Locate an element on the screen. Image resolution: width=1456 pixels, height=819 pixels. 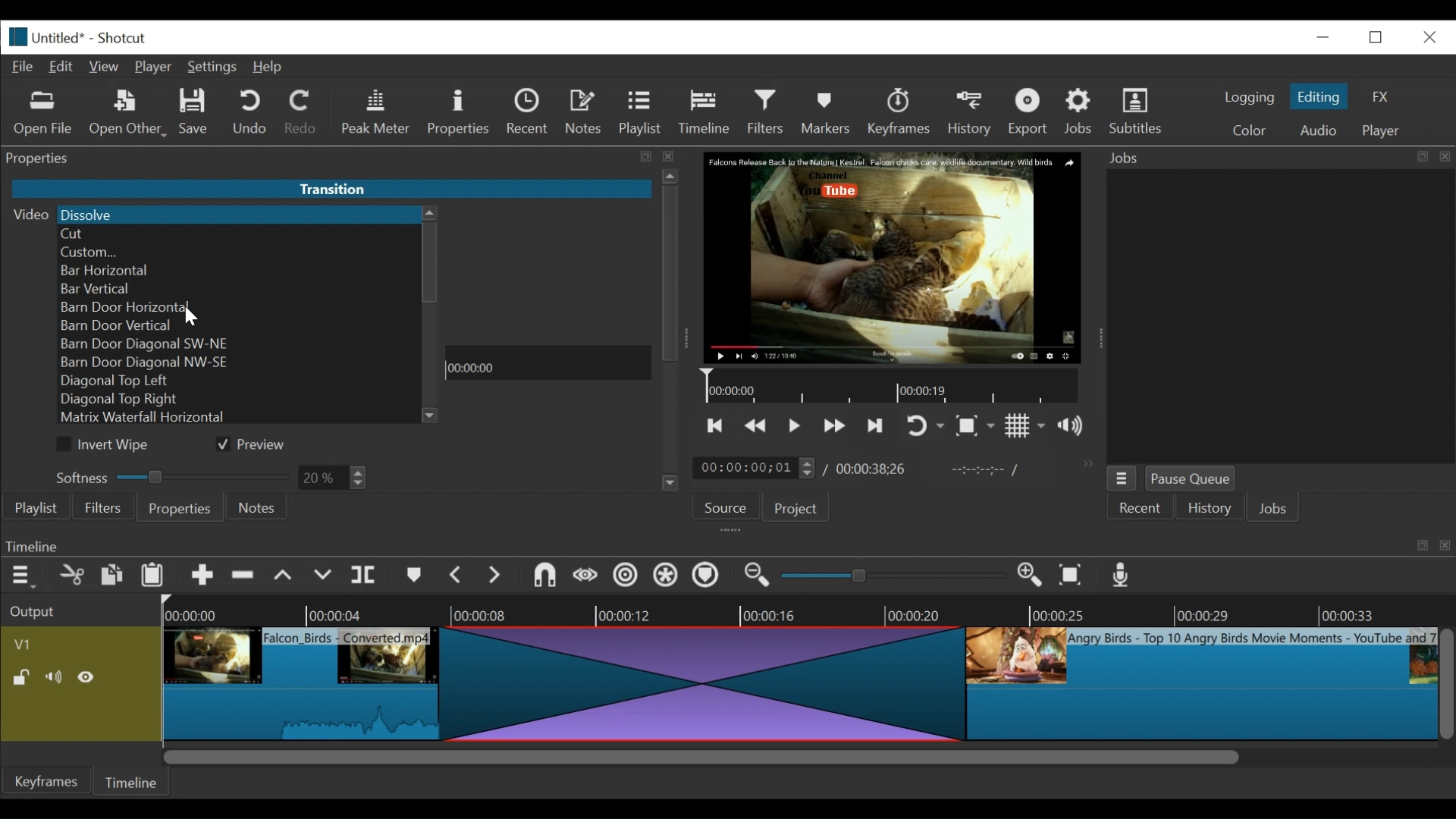
Dissolve is located at coordinates (237, 214).